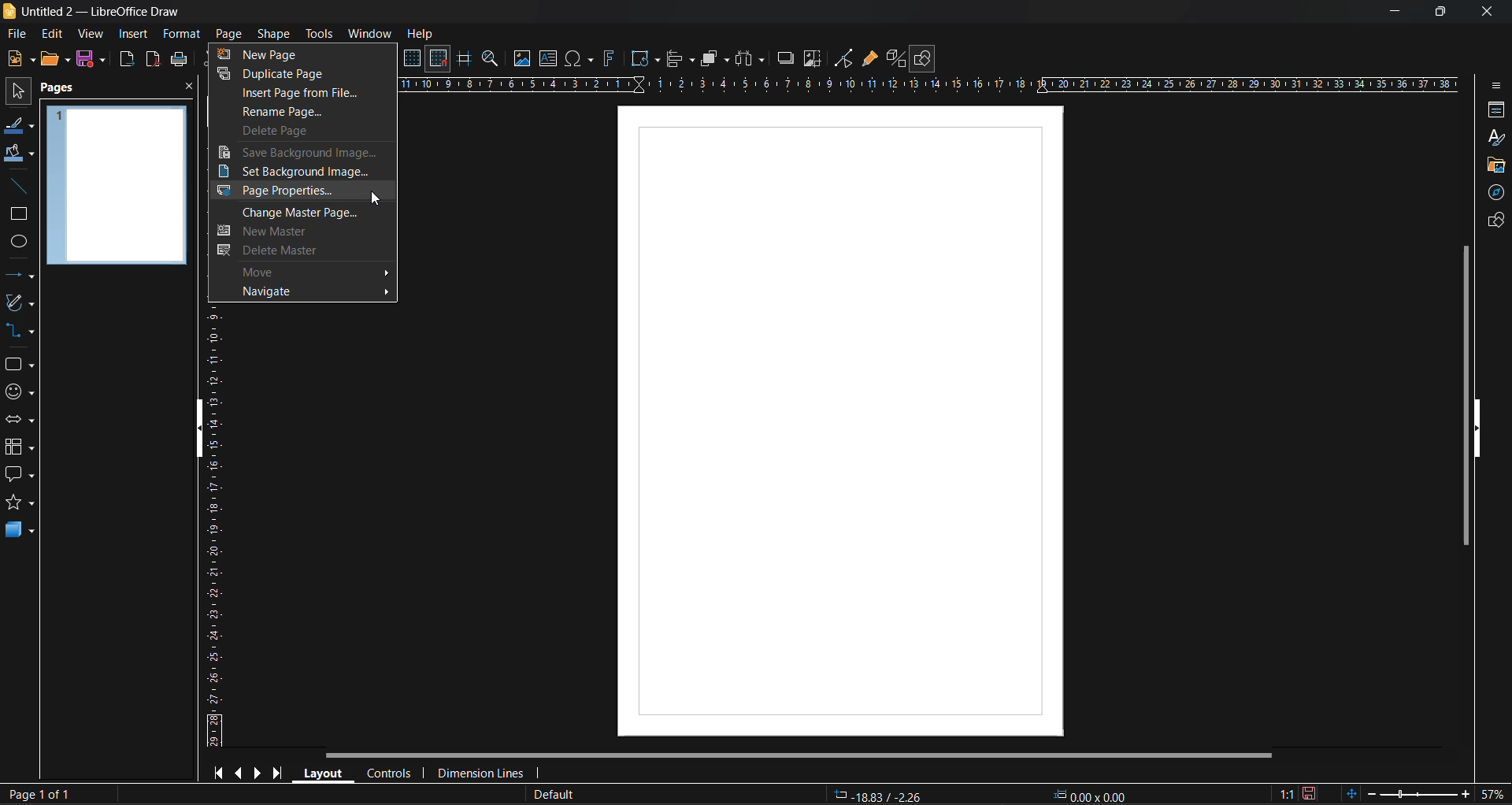  I want to click on close, so click(187, 88).